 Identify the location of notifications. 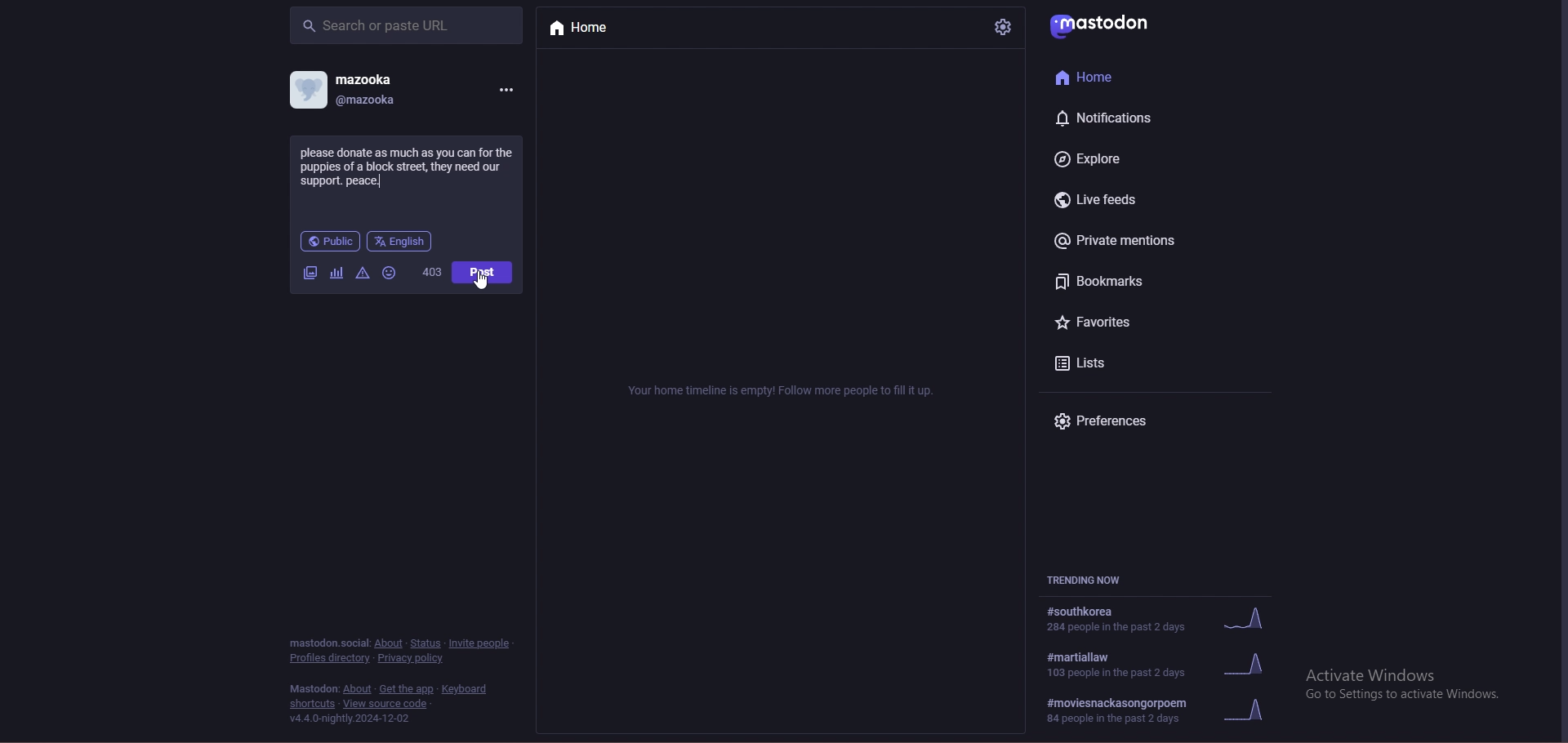
(1129, 118).